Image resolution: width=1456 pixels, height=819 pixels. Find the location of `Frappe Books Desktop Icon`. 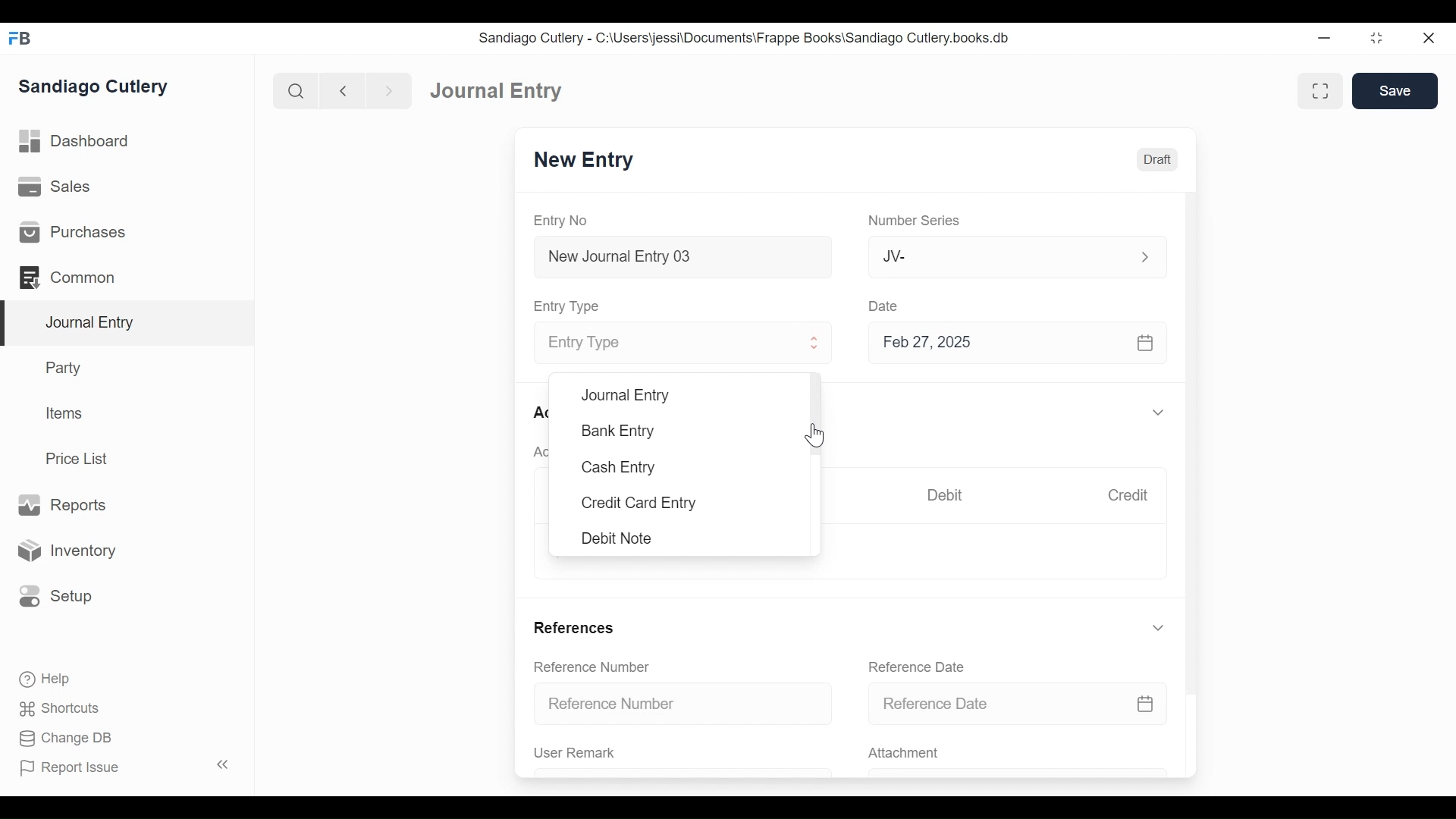

Frappe Books Desktop Icon is located at coordinates (20, 39).